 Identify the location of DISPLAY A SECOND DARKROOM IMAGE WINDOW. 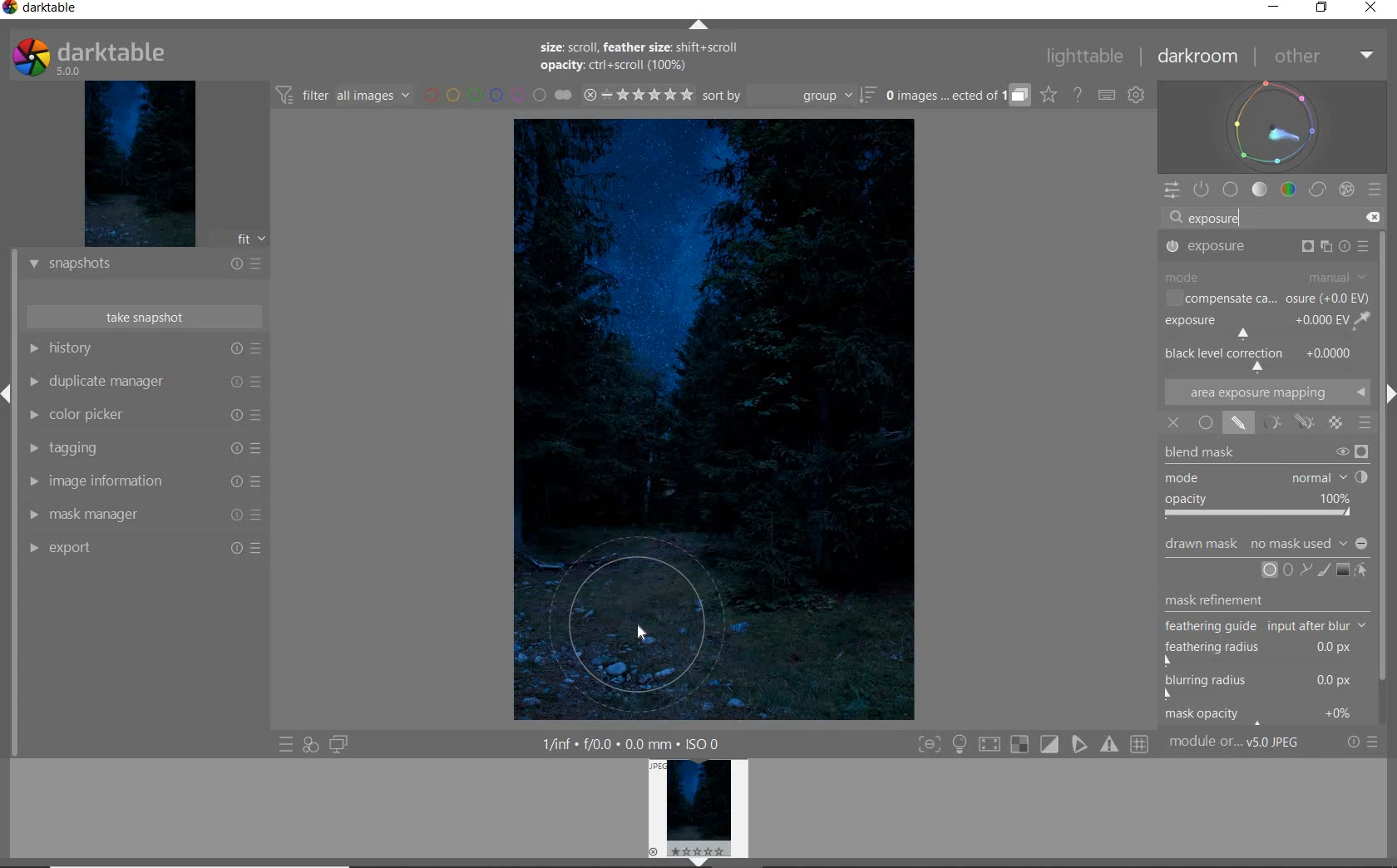
(342, 744).